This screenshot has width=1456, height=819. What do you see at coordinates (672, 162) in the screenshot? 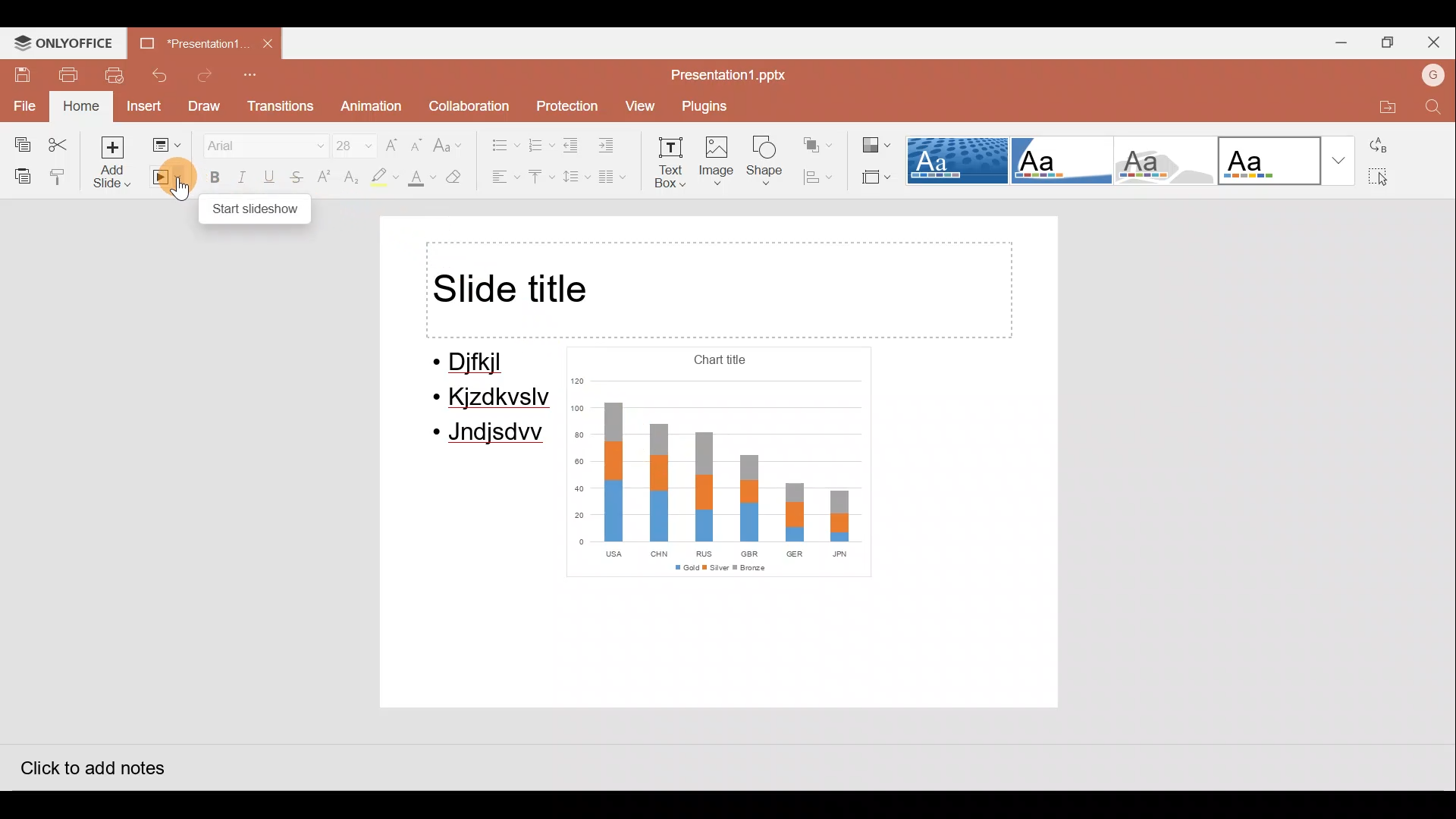
I see `Text box` at bounding box center [672, 162].